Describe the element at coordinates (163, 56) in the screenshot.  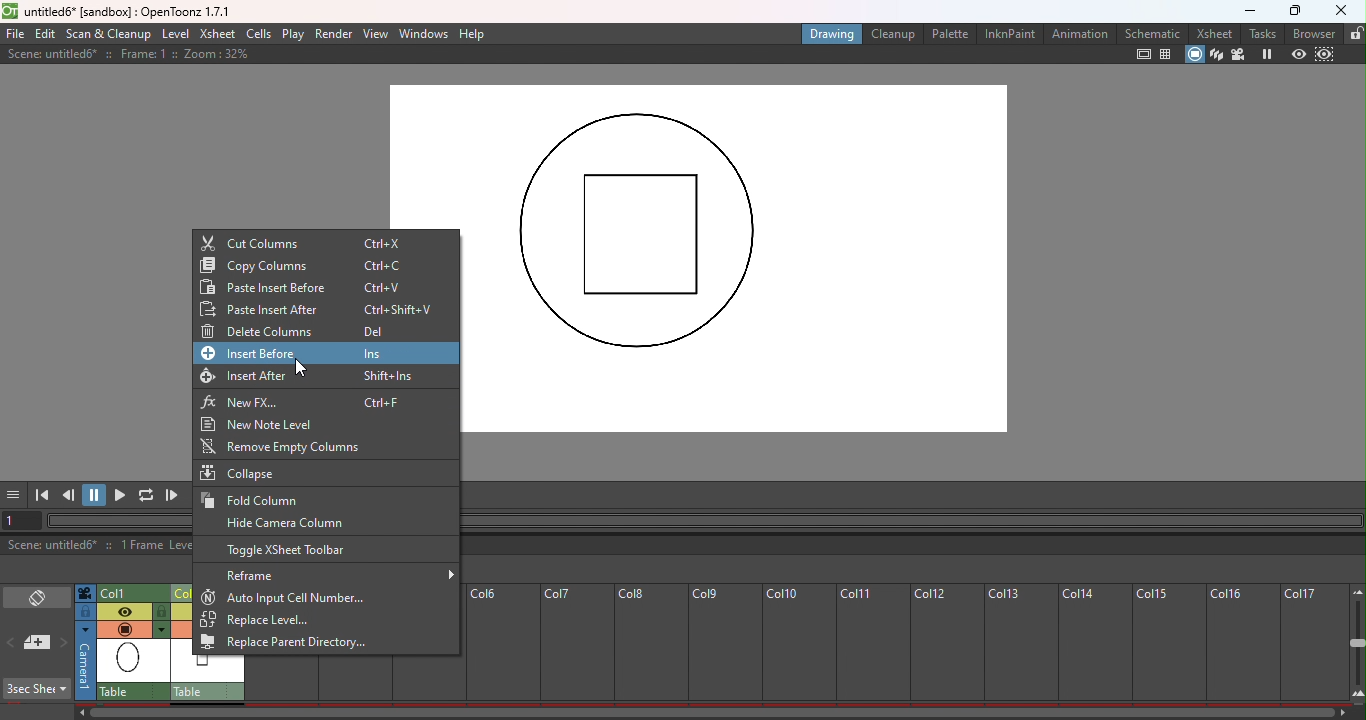
I see `Scene: untitled* :: Frame 1 :: Zoom: 32%` at that location.